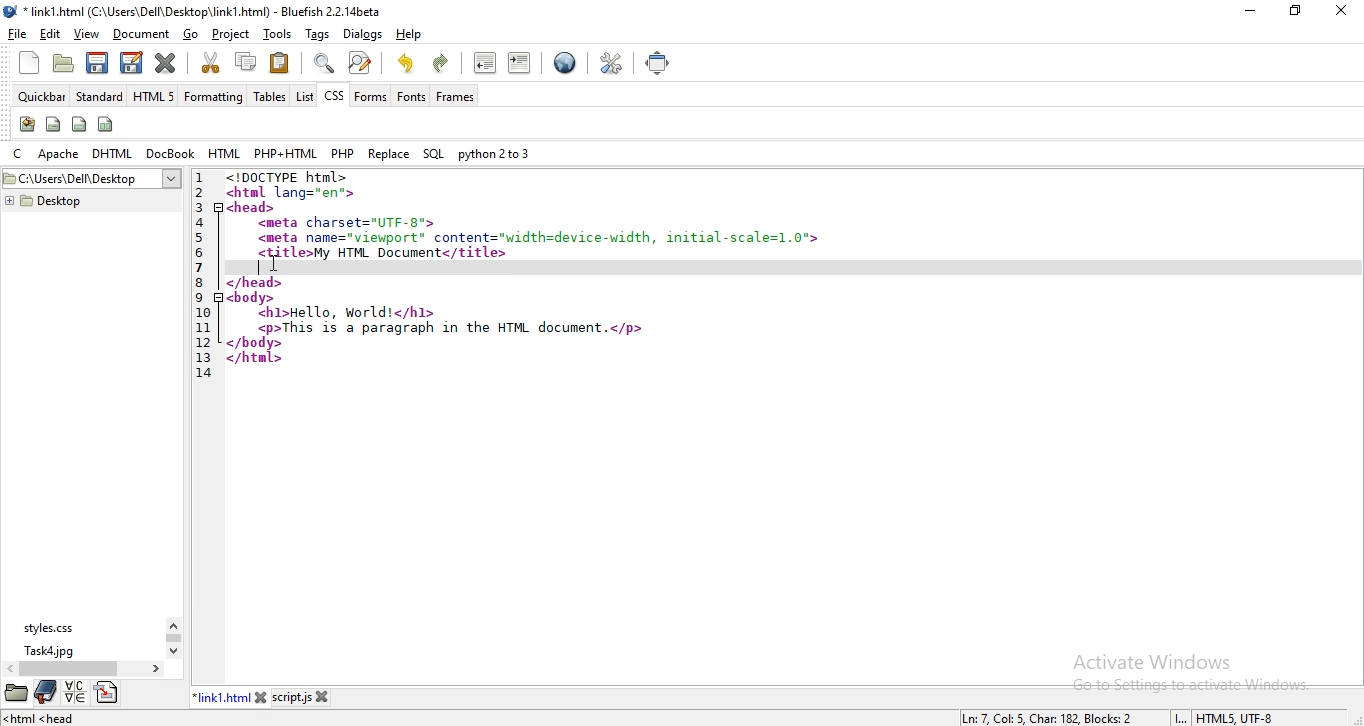 The width and height of the screenshot is (1364, 726). Describe the element at coordinates (1249, 9) in the screenshot. I see `minimize` at that location.